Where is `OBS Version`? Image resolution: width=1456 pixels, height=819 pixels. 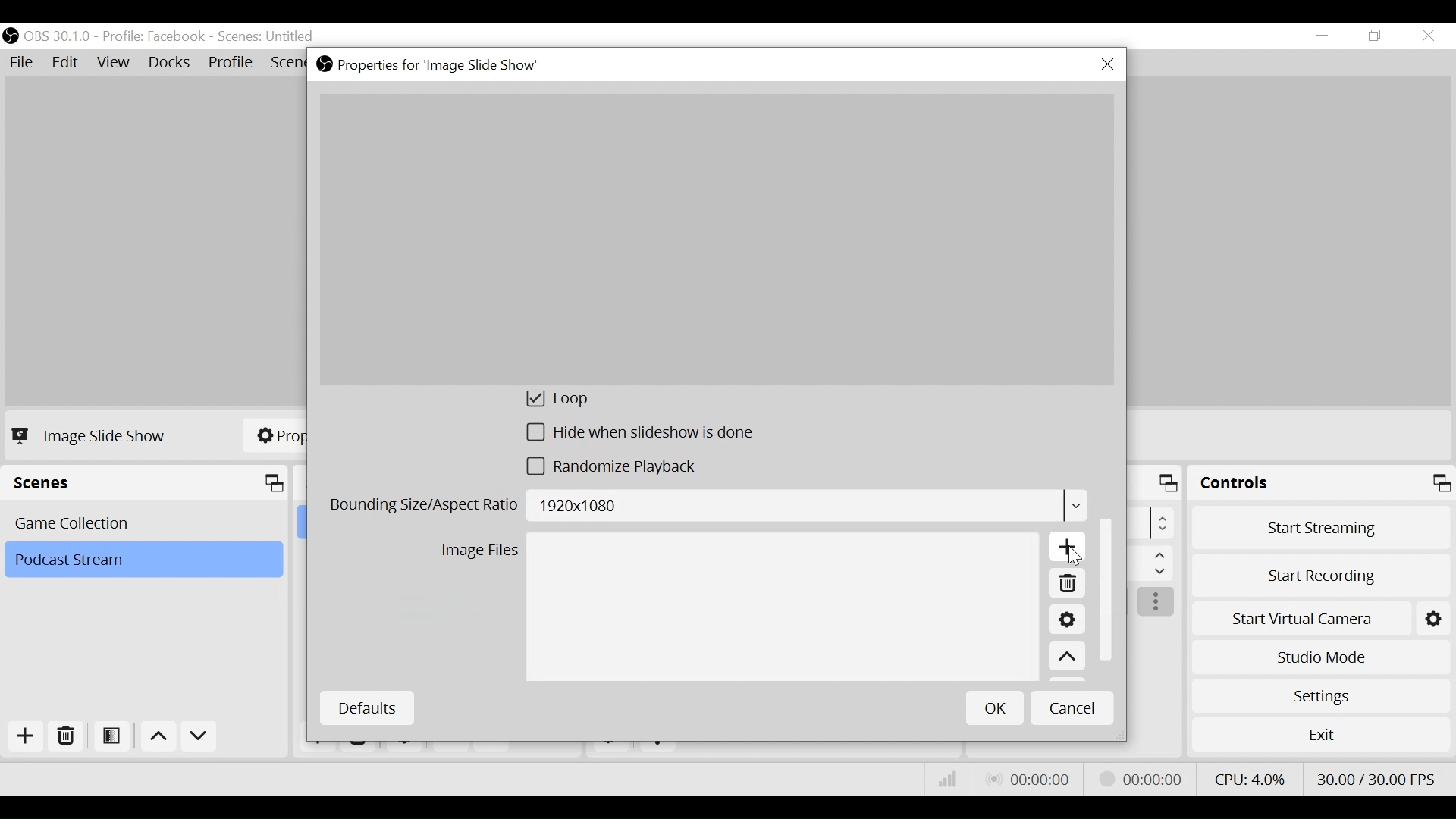
OBS Version is located at coordinates (60, 36).